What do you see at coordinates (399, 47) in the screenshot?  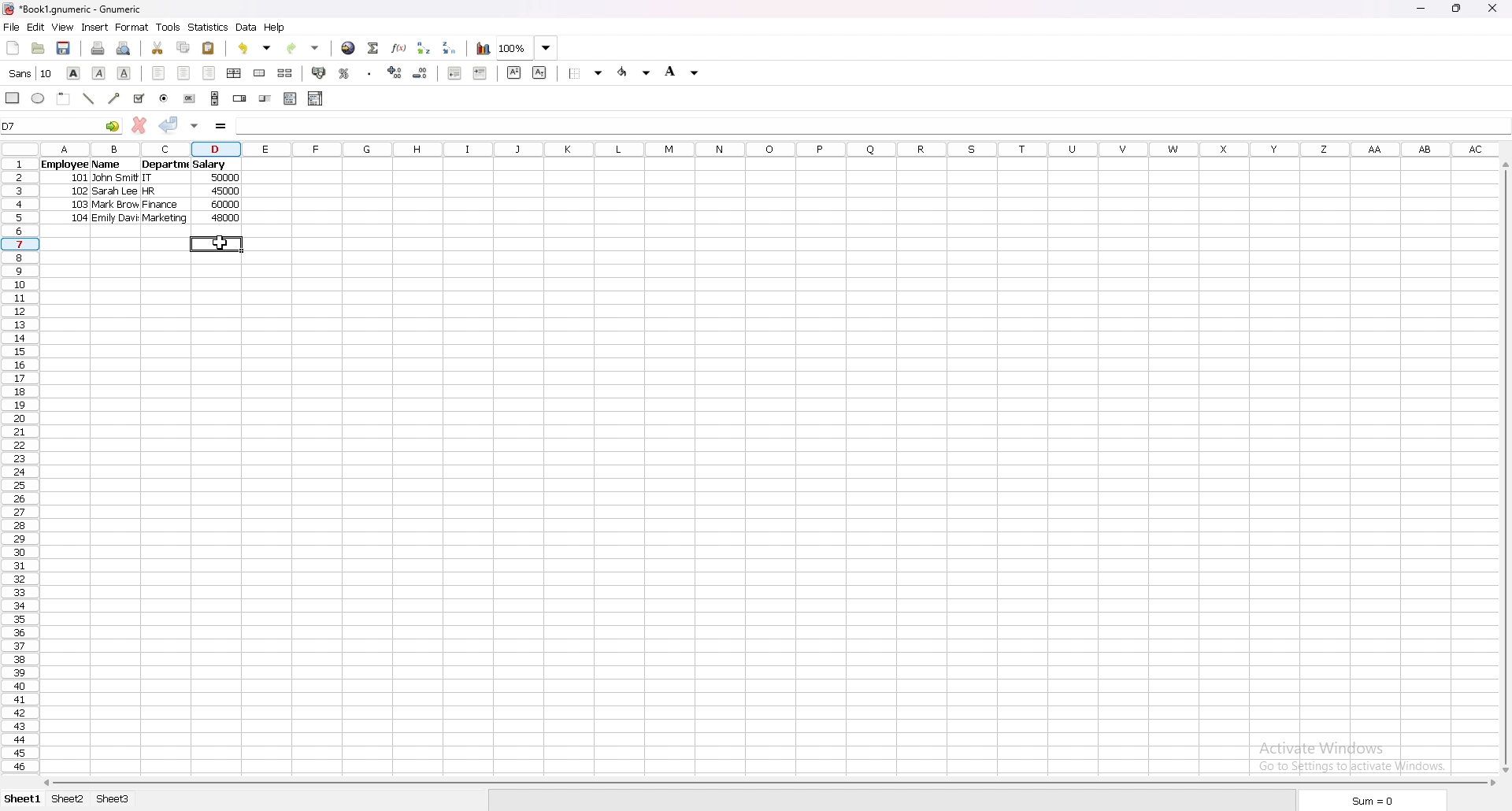 I see `function` at bounding box center [399, 47].